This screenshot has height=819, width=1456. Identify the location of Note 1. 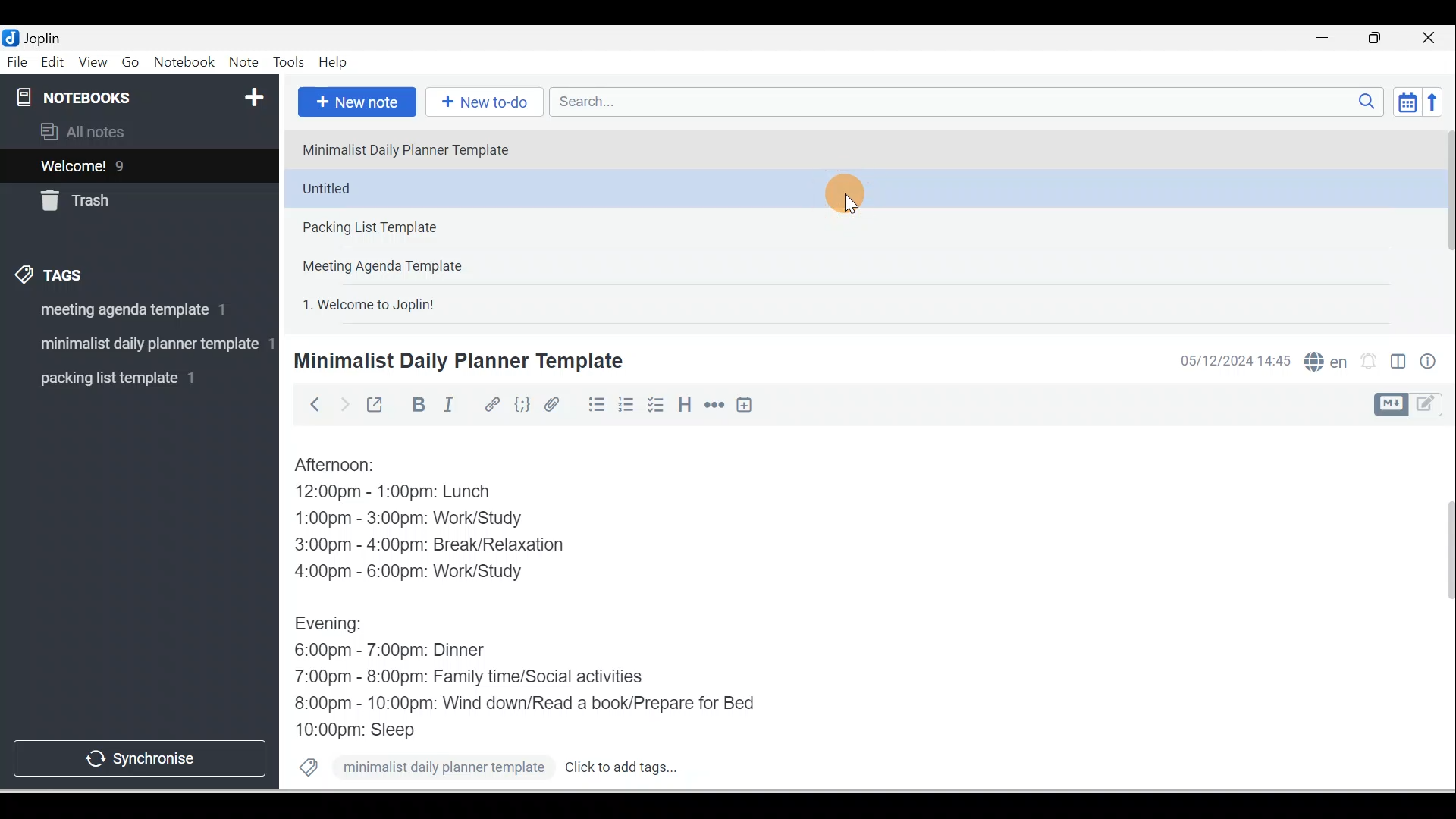
(416, 149).